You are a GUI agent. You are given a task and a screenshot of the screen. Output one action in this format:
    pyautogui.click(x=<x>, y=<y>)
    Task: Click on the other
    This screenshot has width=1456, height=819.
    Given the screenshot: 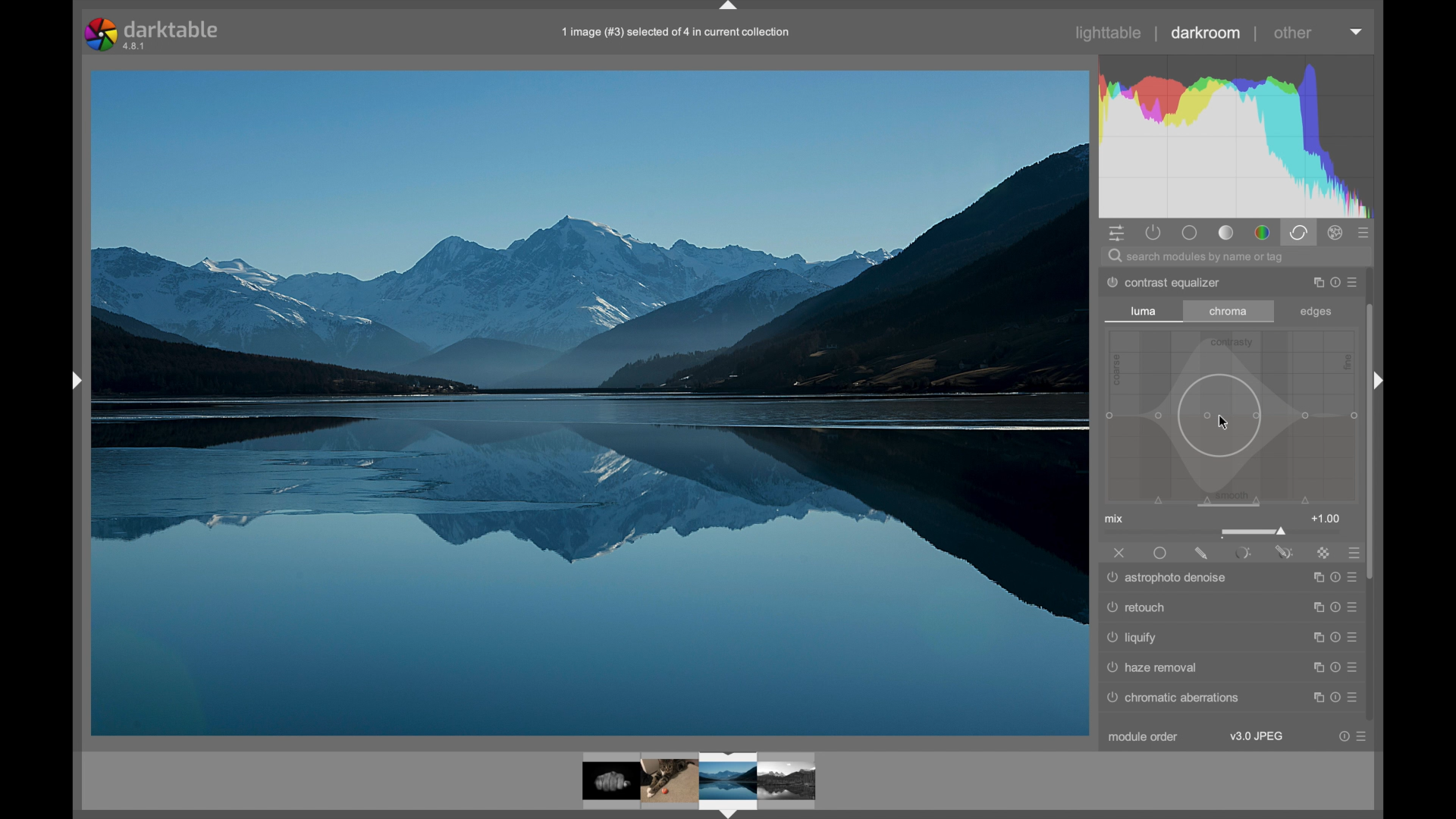 What is the action you would take?
    pyautogui.click(x=1293, y=33)
    